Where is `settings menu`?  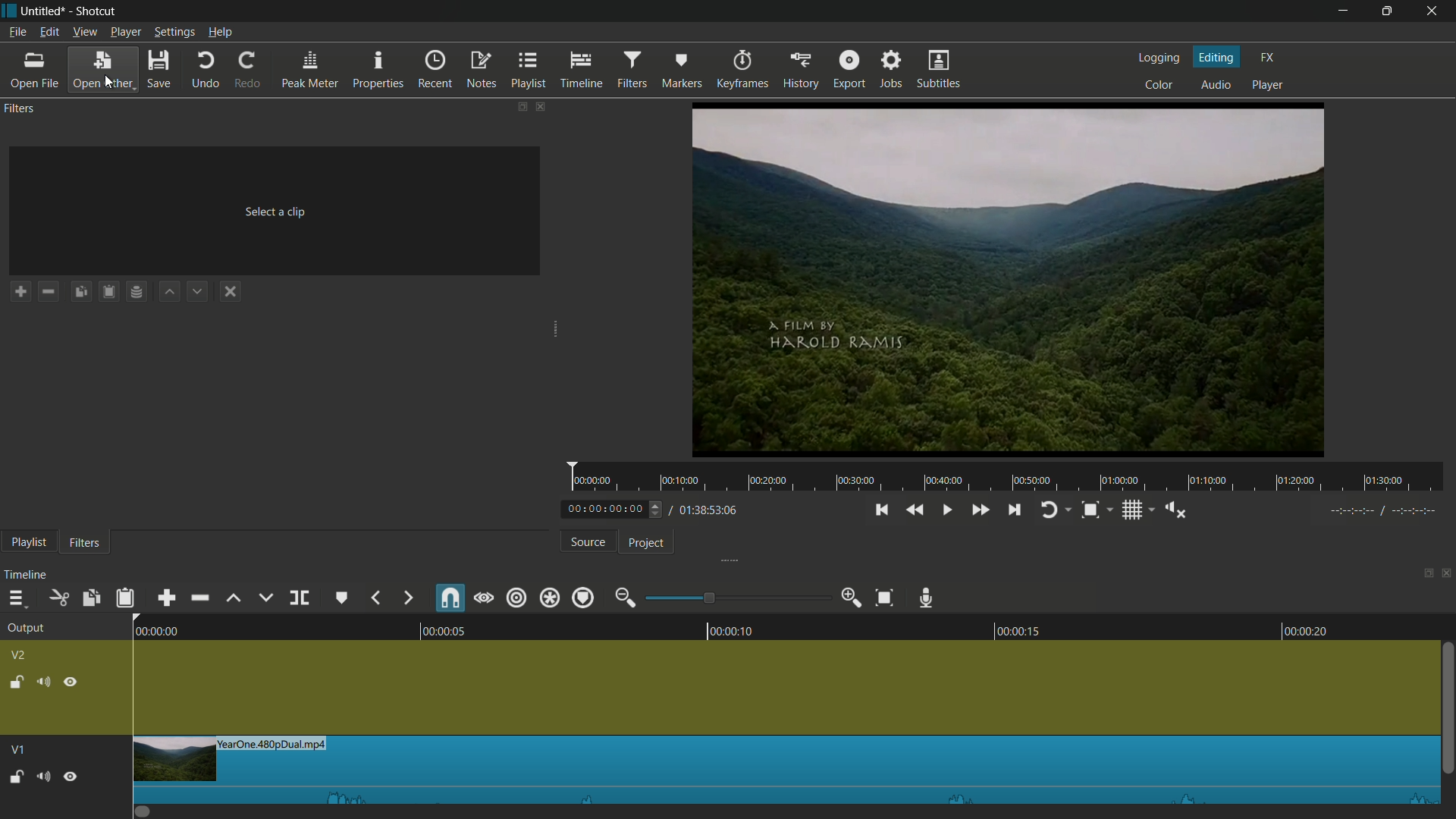 settings menu is located at coordinates (174, 32).